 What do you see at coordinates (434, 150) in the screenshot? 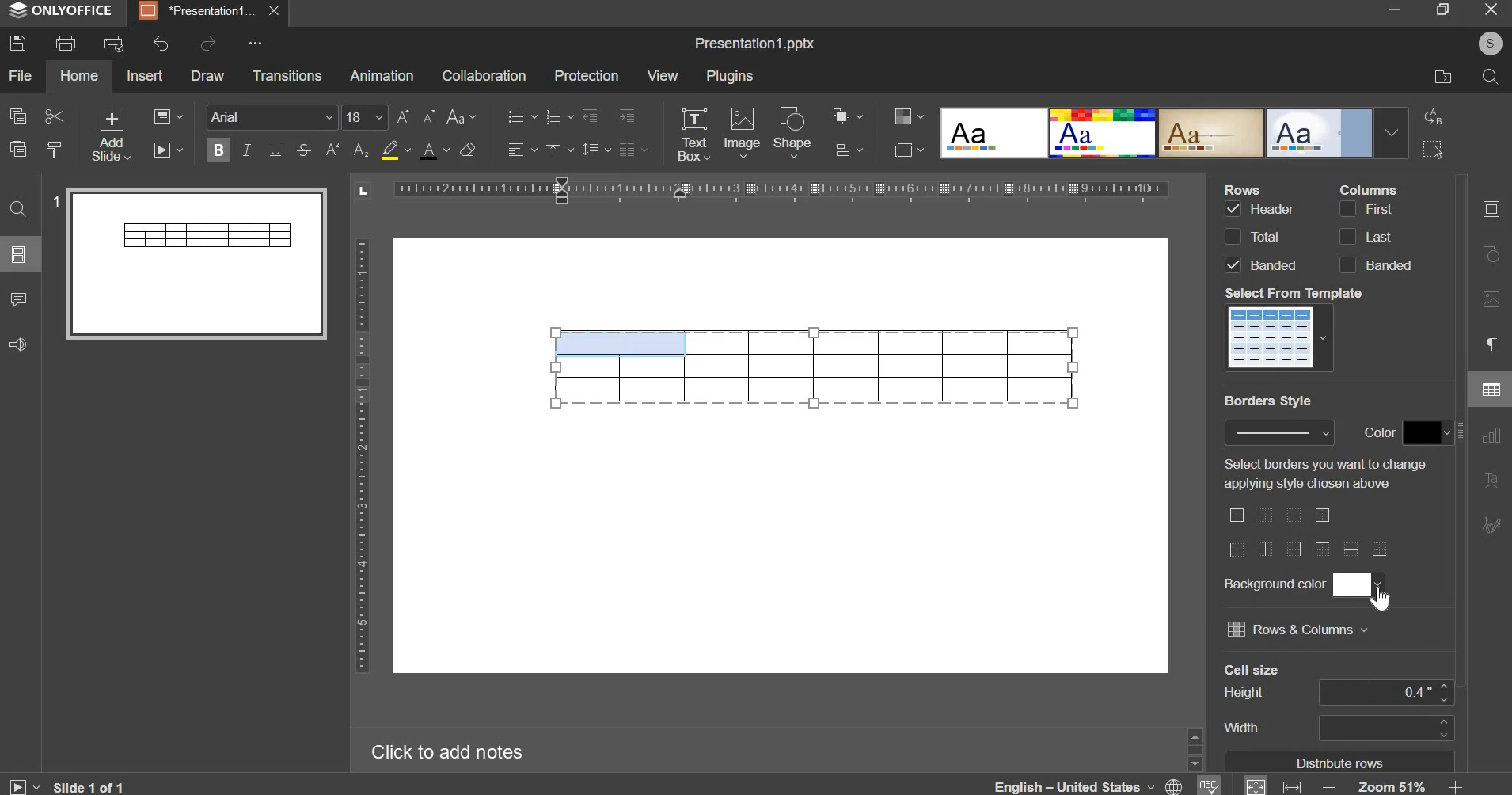
I see `text color` at bounding box center [434, 150].